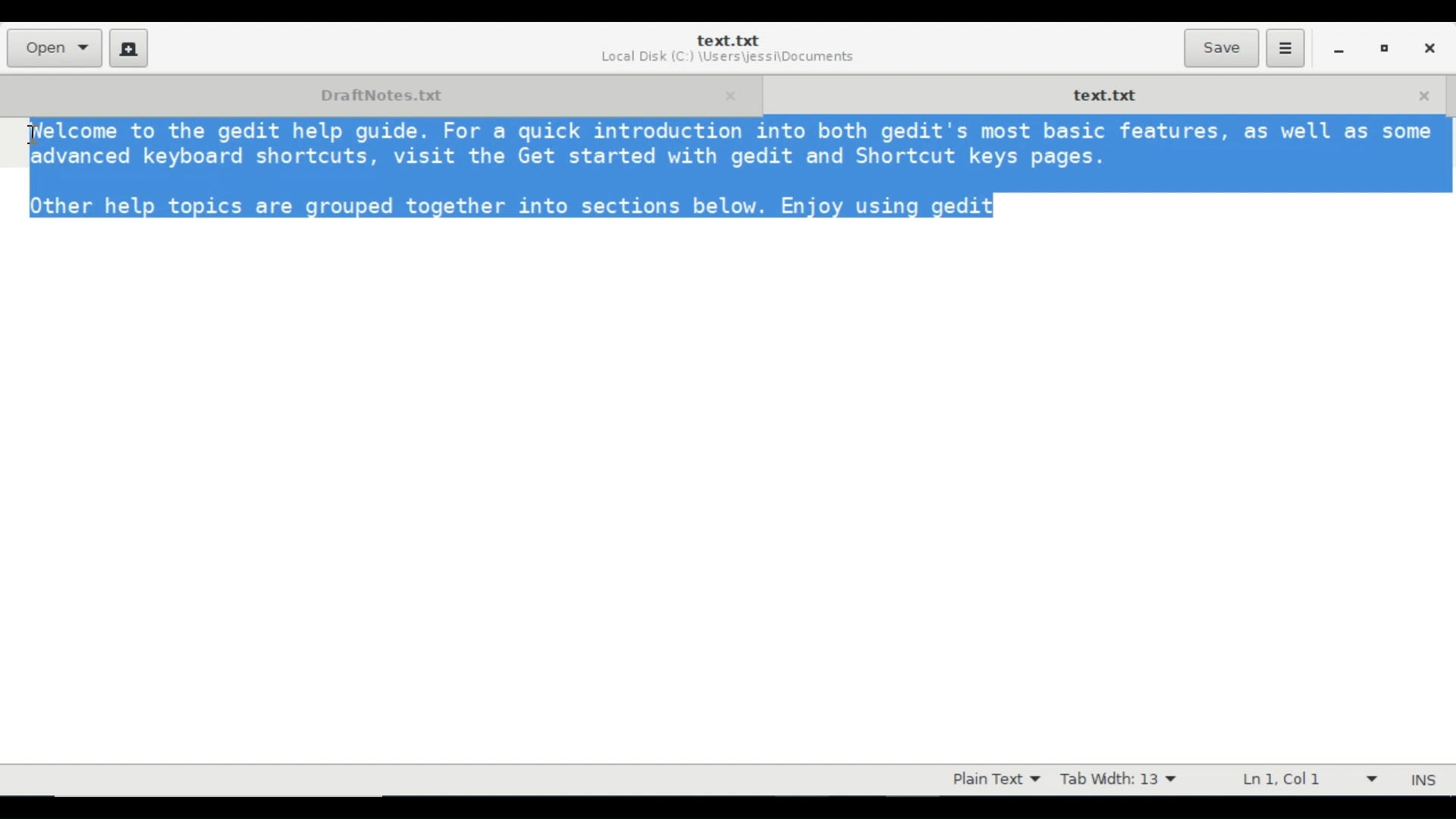 The height and width of the screenshot is (819, 1456). Describe the element at coordinates (1285, 49) in the screenshot. I see `Application menu` at that location.